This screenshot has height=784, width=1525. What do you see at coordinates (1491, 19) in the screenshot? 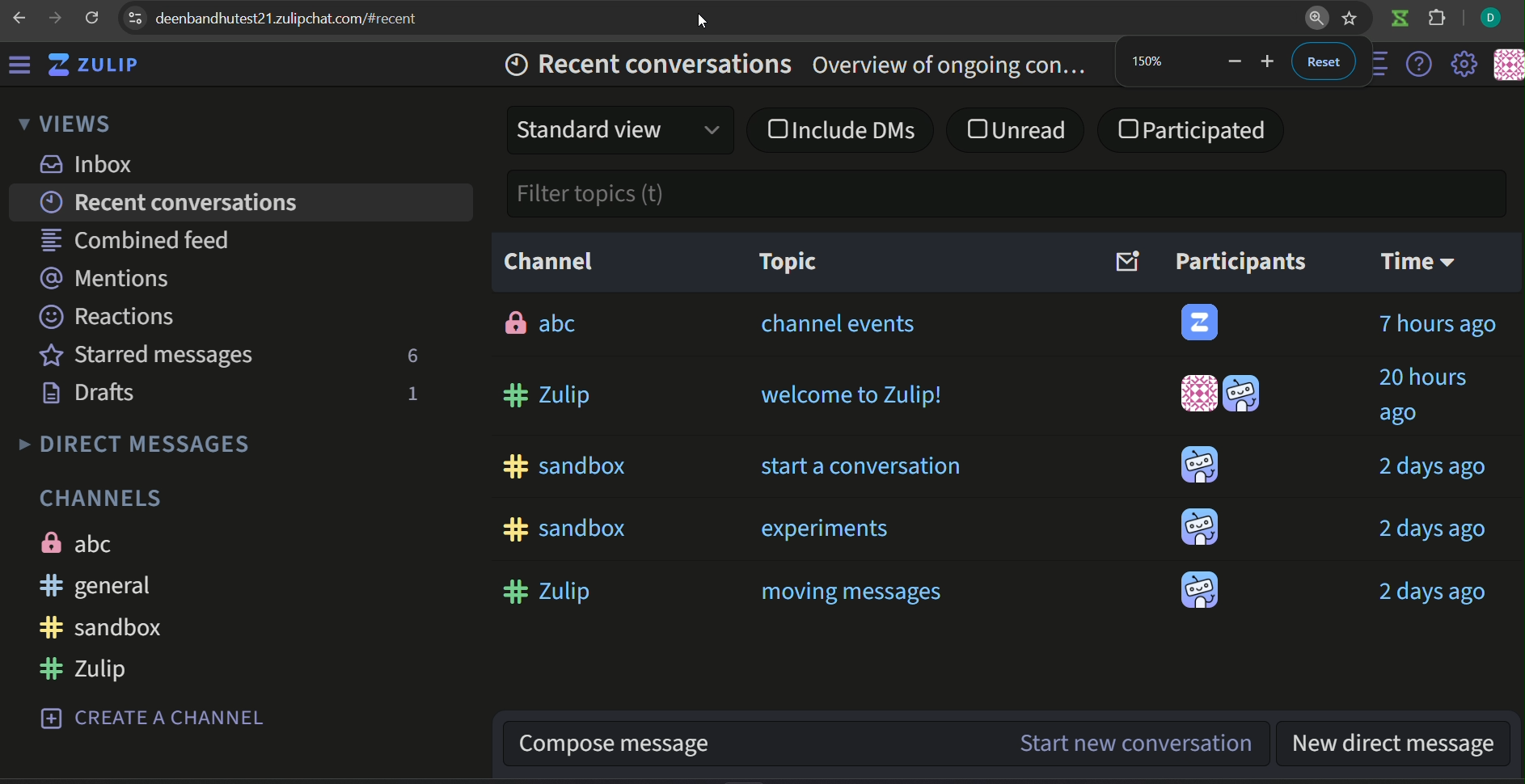
I see `profile icon` at bounding box center [1491, 19].